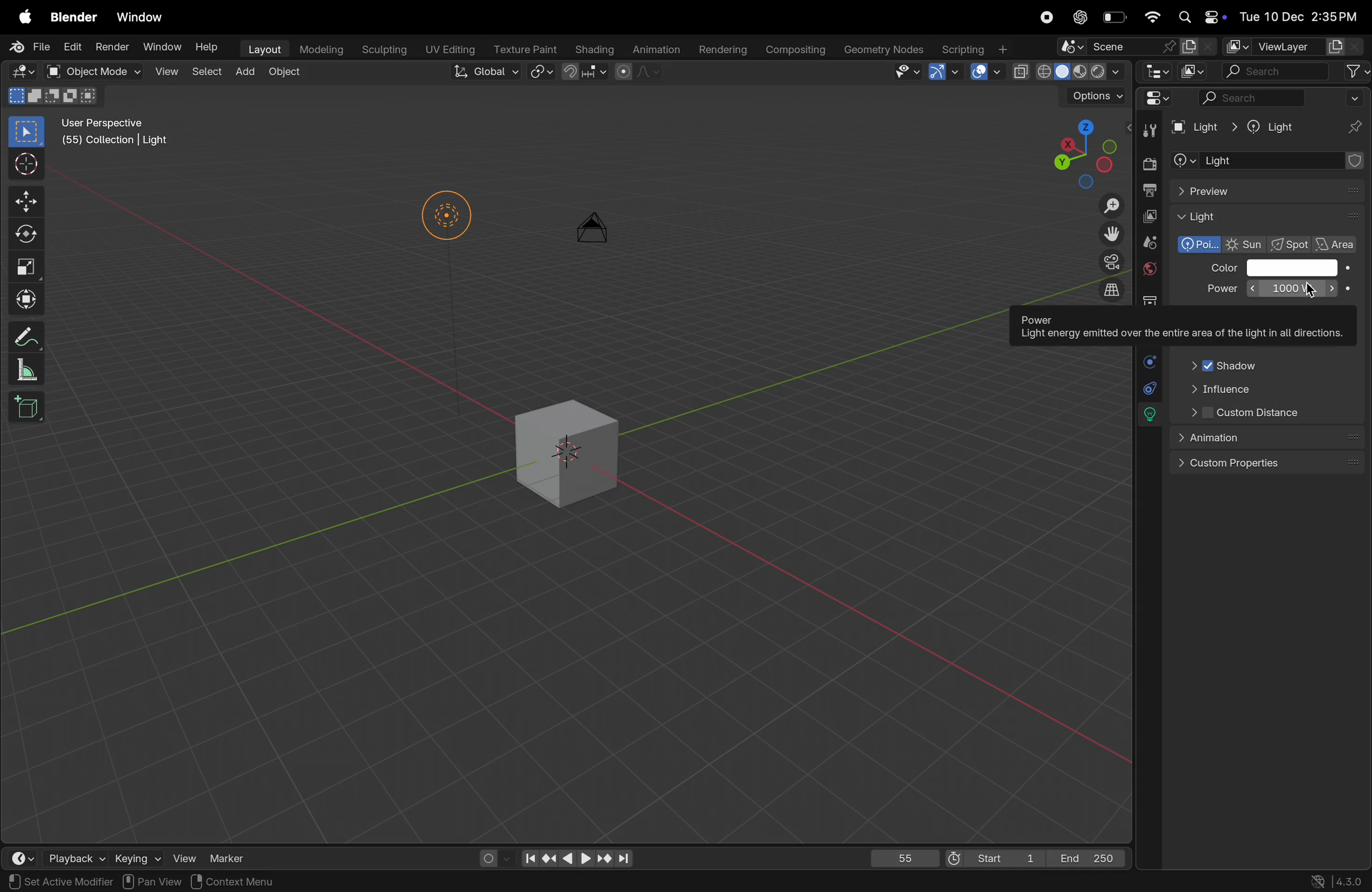 The image size is (1372, 892). Describe the element at coordinates (574, 856) in the screenshot. I see `playback contorls` at that location.